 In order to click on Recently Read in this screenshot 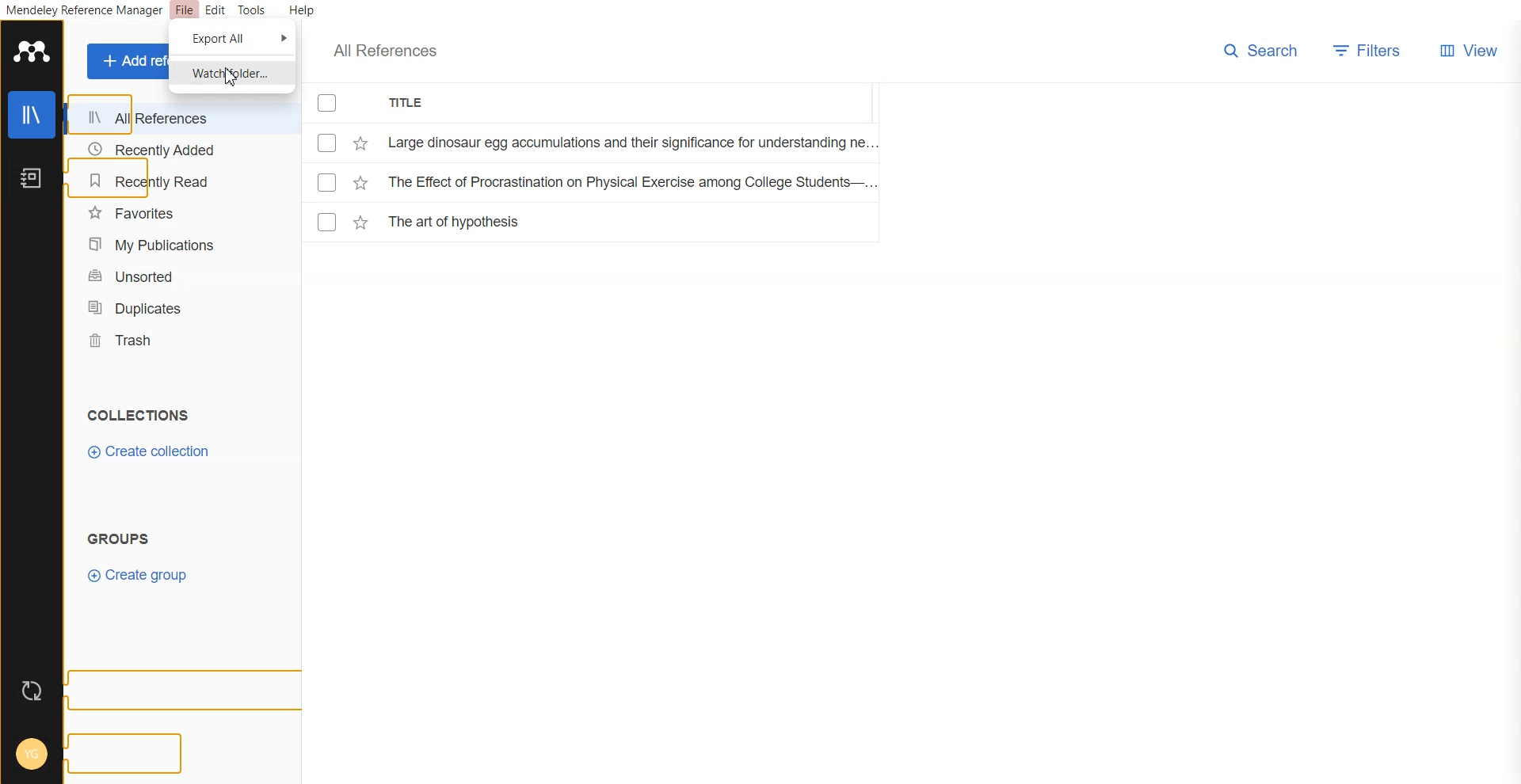, I will do `click(169, 182)`.